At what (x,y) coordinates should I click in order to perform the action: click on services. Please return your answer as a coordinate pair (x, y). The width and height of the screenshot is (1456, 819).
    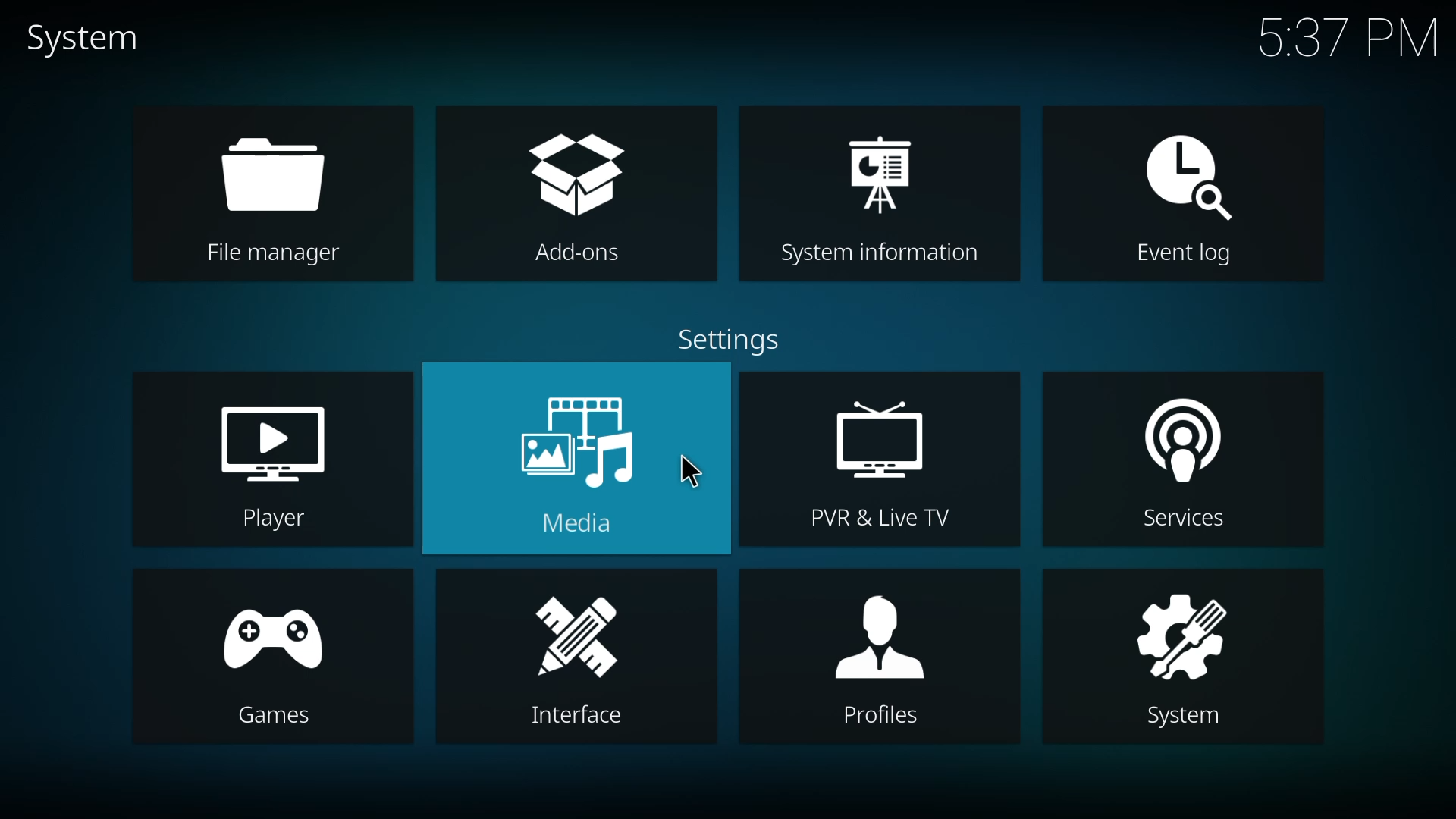
    Looking at the image, I should click on (1179, 442).